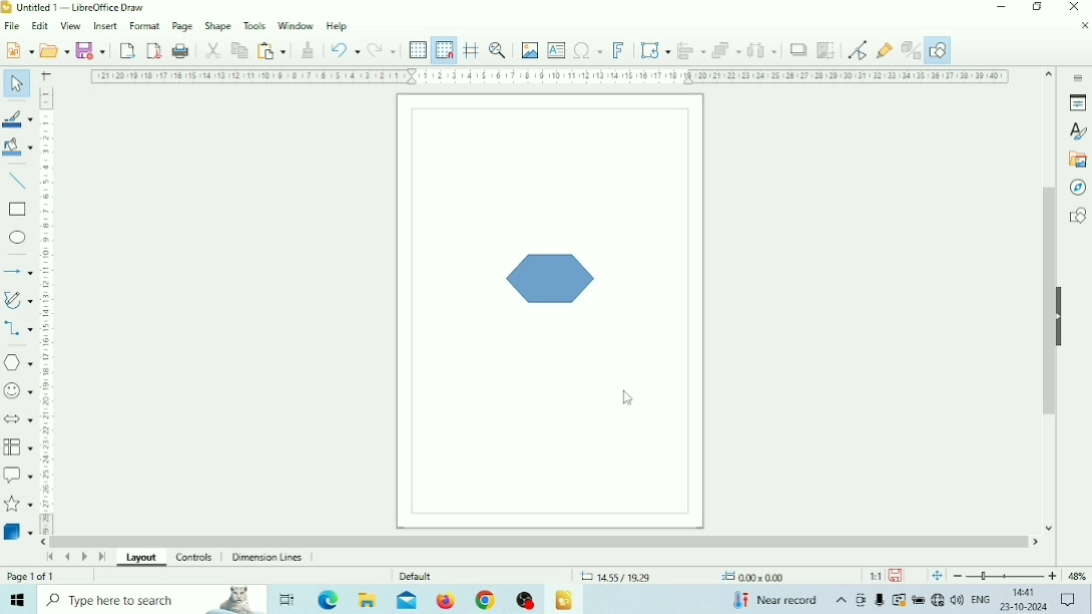 This screenshot has width=1092, height=614. Describe the element at coordinates (270, 558) in the screenshot. I see `Dimension Lines` at that location.